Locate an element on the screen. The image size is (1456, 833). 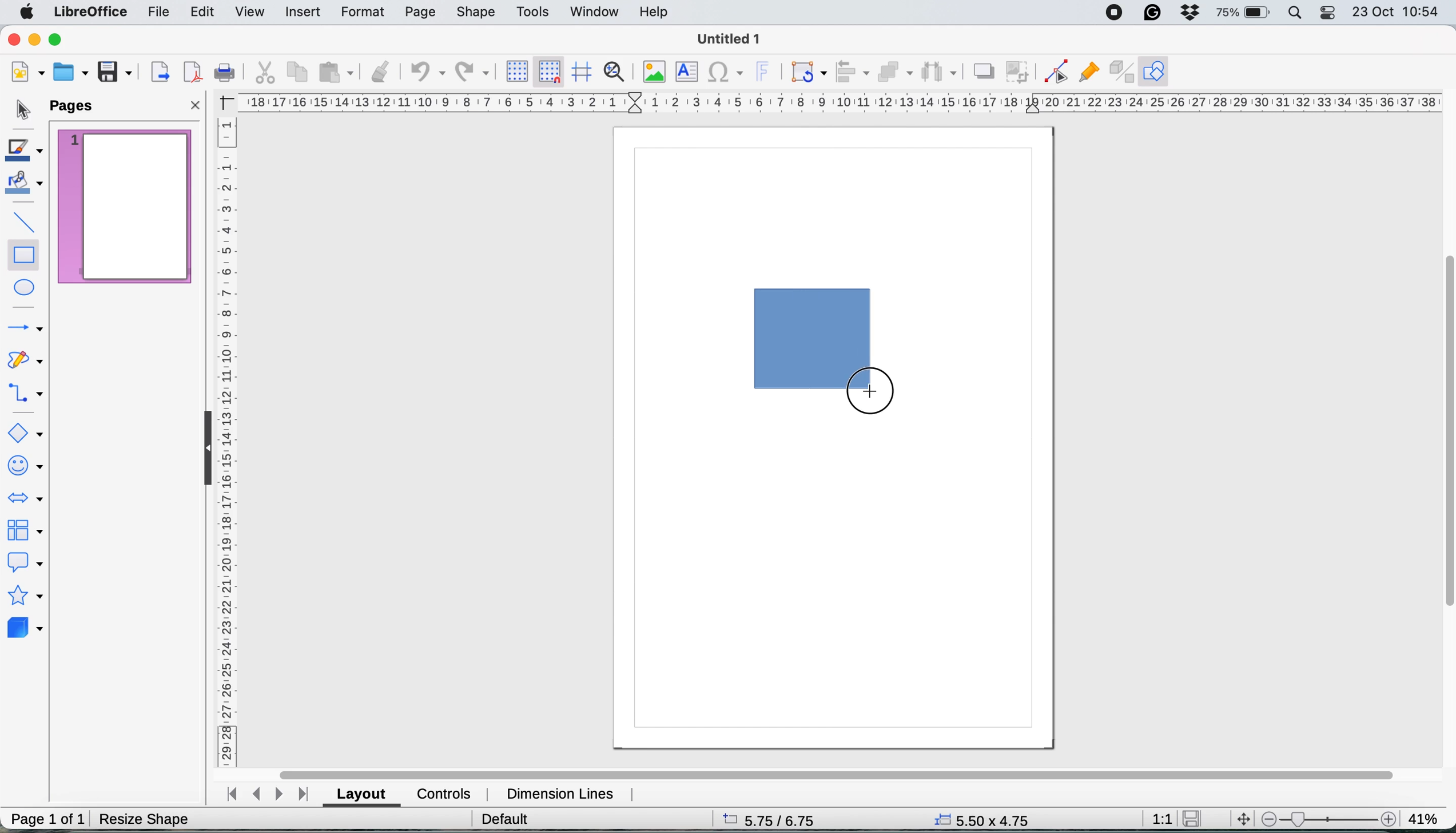
insert is located at coordinates (303, 12).